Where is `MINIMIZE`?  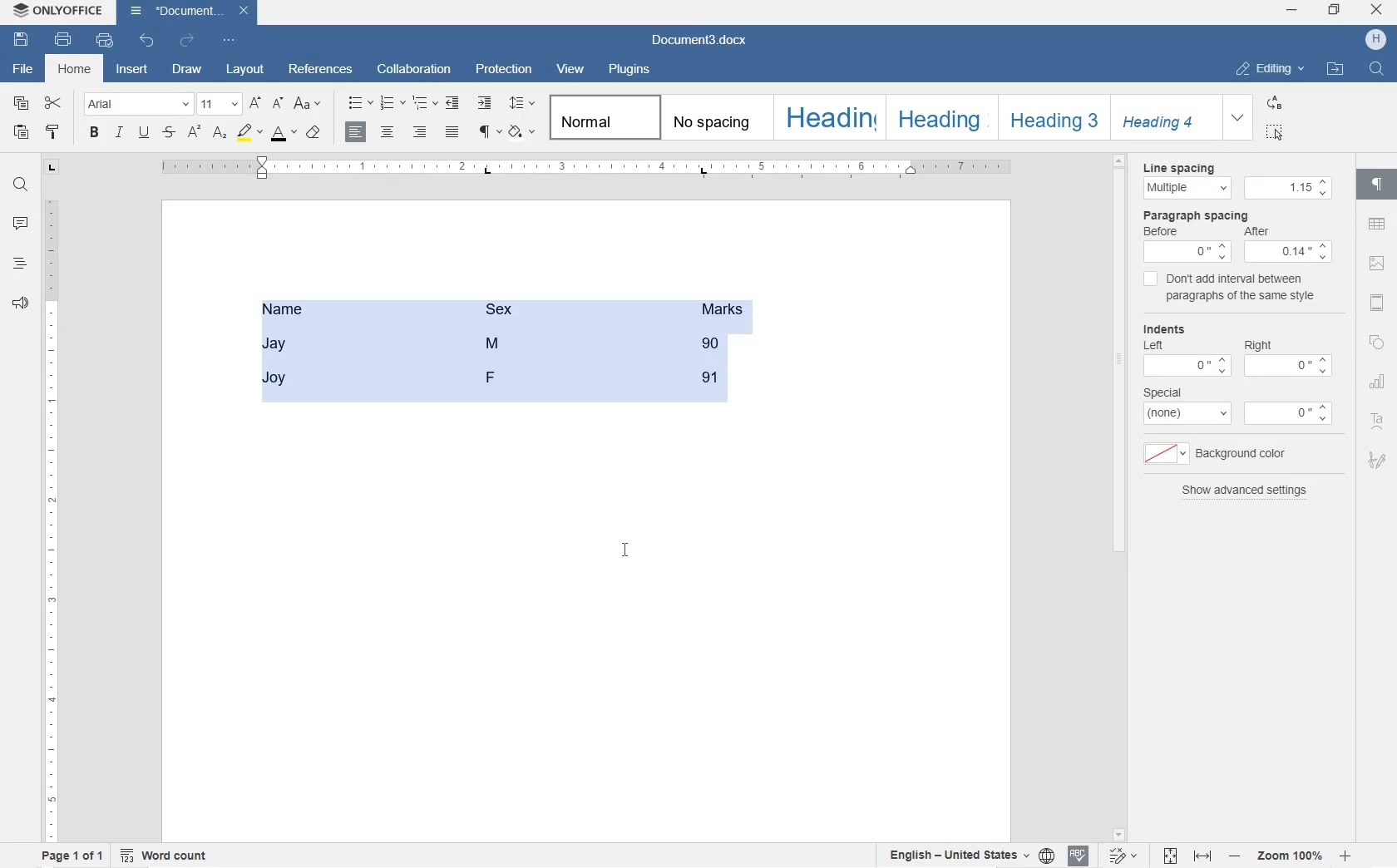 MINIMIZE is located at coordinates (1292, 8).